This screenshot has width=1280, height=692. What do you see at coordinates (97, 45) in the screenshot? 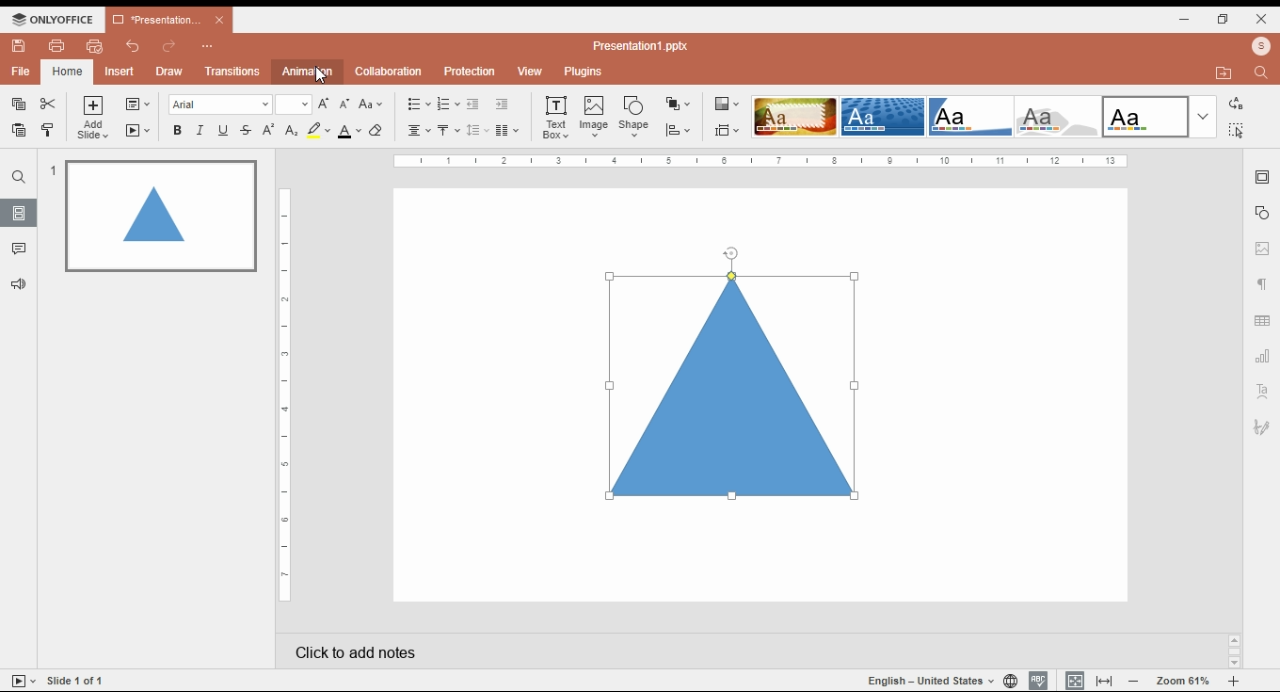
I see `quick print` at bounding box center [97, 45].